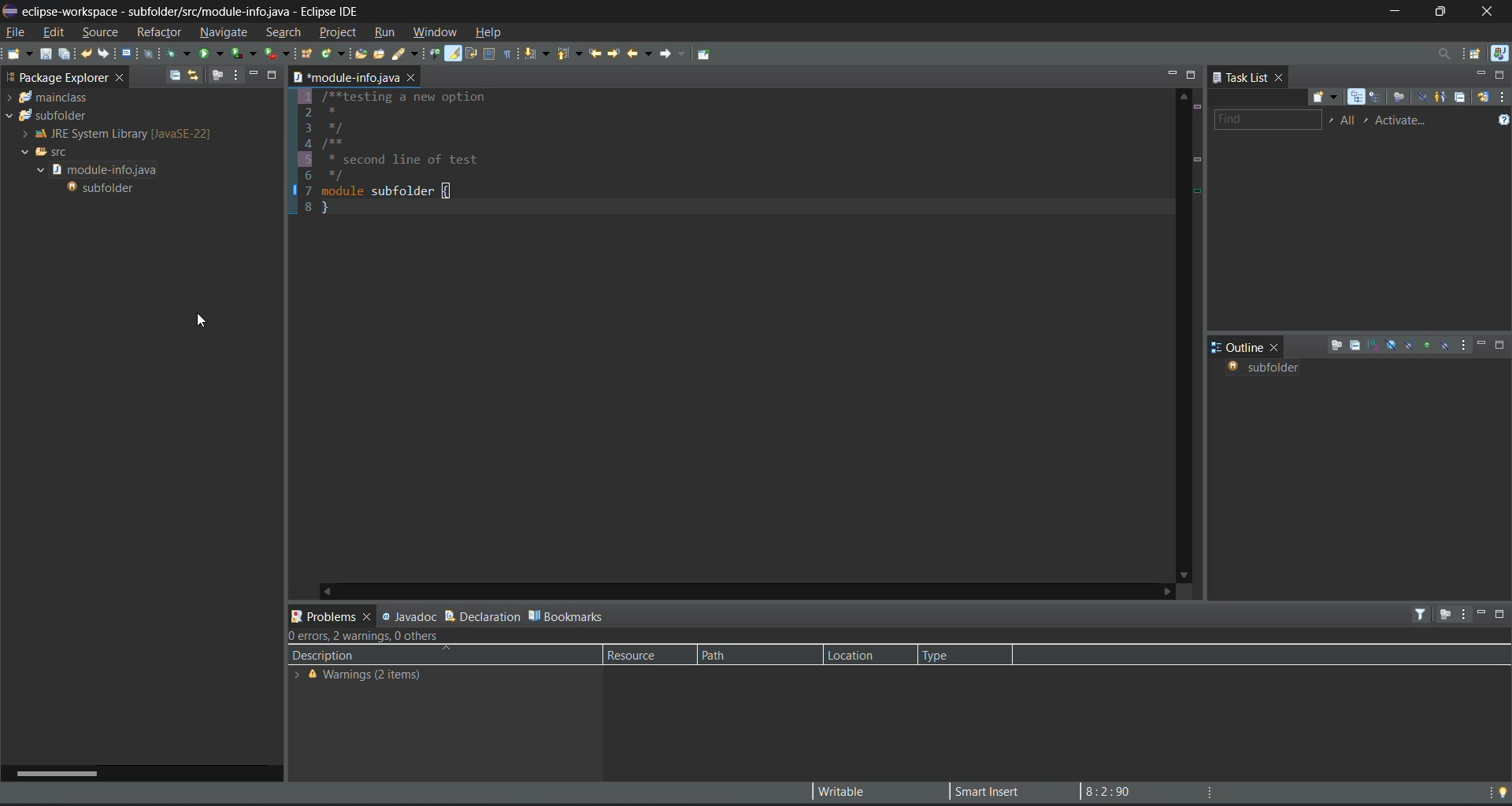  Describe the element at coordinates (1465, 346) in the screenshot. I see `view menu` at that location.